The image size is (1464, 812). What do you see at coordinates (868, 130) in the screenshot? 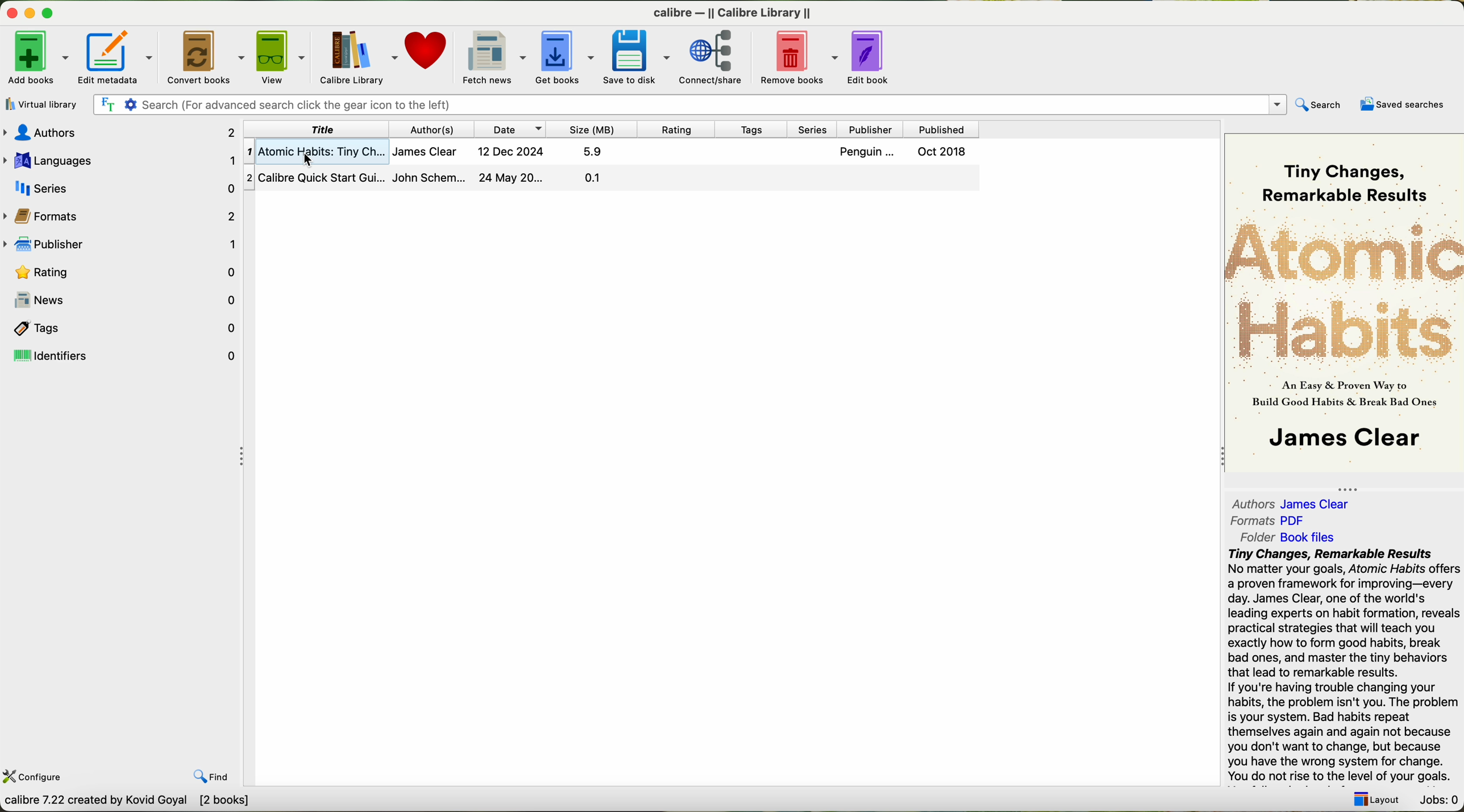
I see `publisher` at bounding box center [868, 130].